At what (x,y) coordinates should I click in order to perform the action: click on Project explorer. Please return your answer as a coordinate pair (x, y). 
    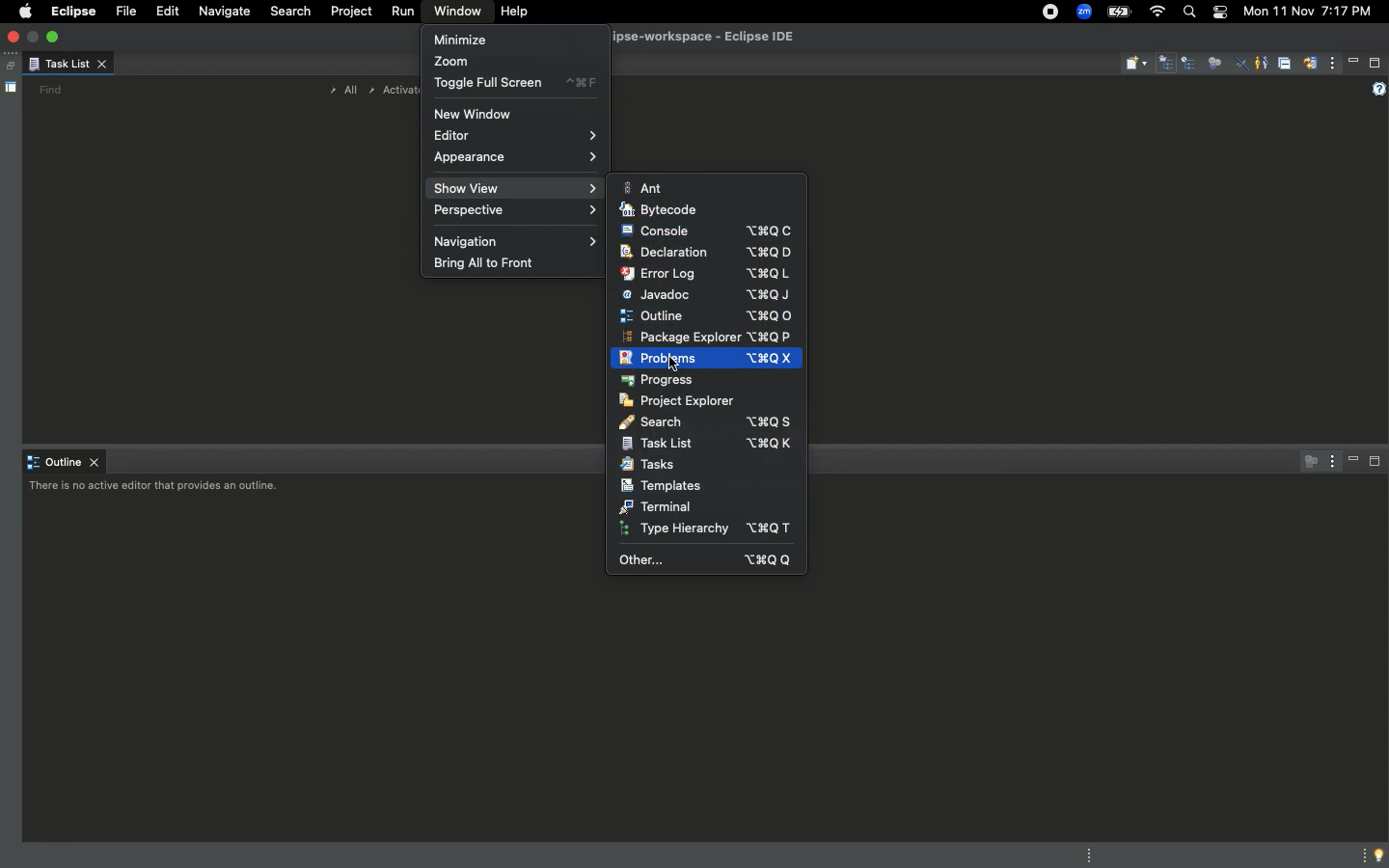
    Looking at the image, I should click on (685, 402).